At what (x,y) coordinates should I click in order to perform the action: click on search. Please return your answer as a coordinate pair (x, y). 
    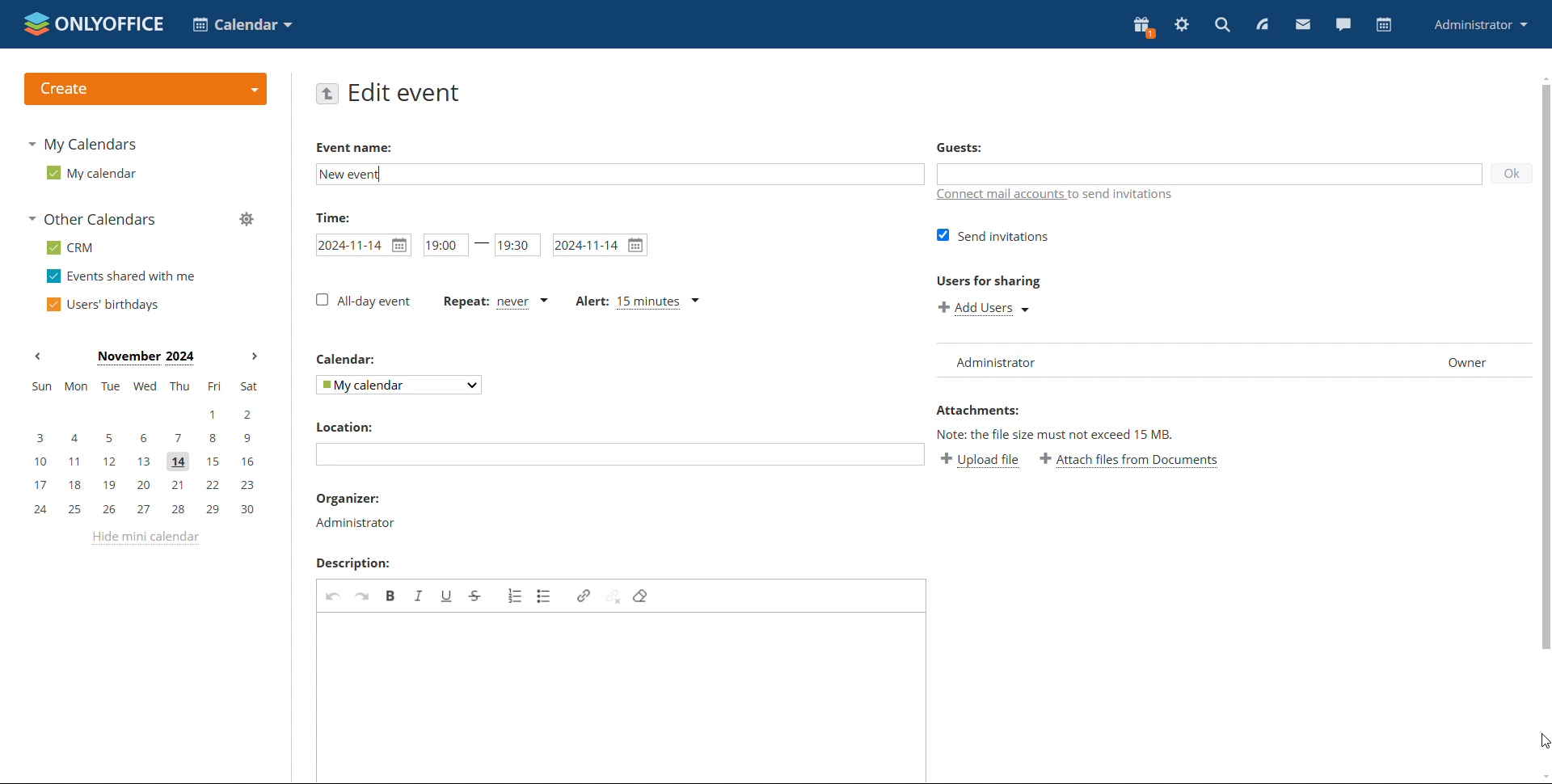
    Looking at the image, I should click on (1221, 25).